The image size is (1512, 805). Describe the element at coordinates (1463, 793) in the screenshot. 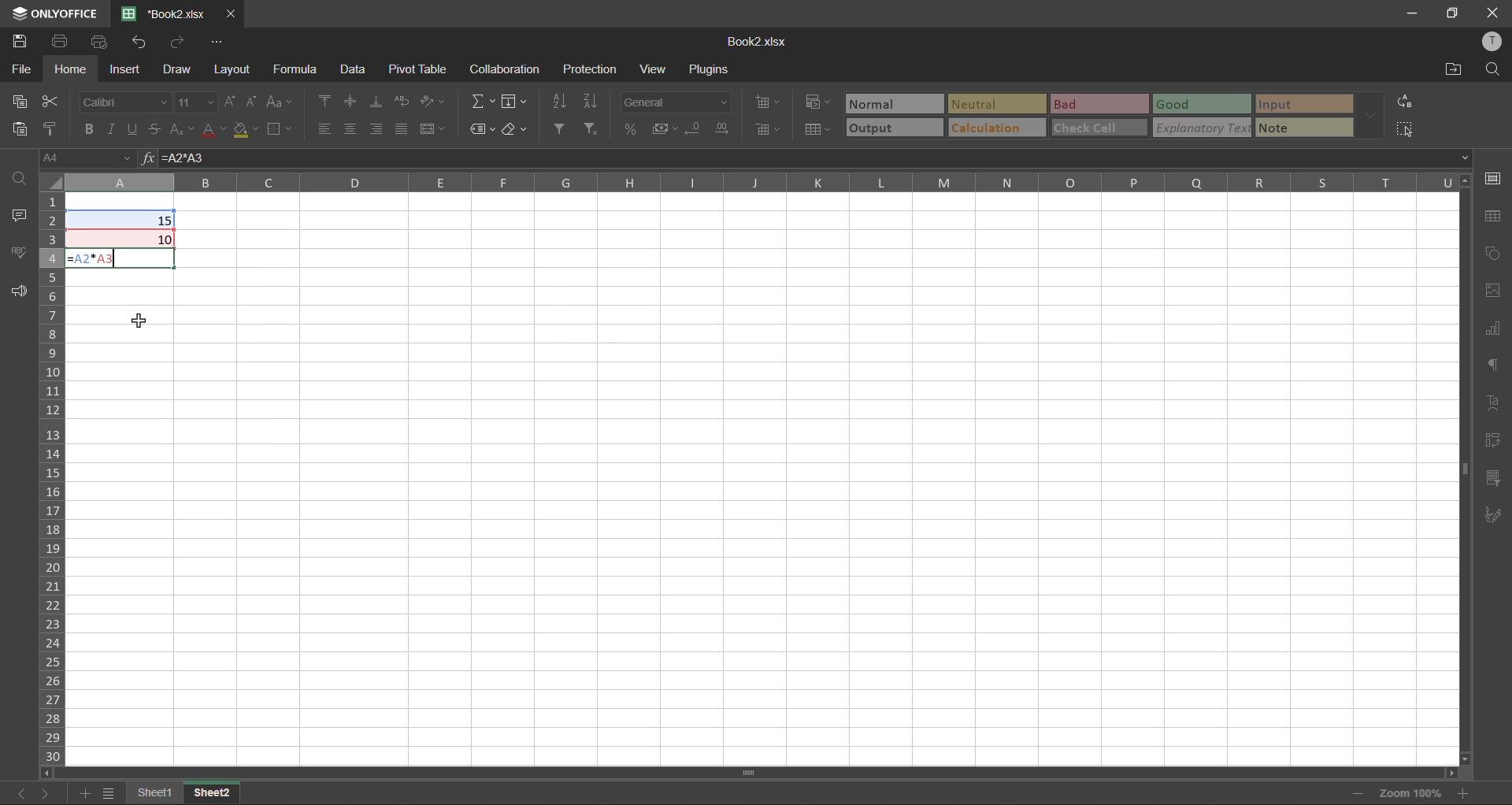

I see `zoom in` at that location.